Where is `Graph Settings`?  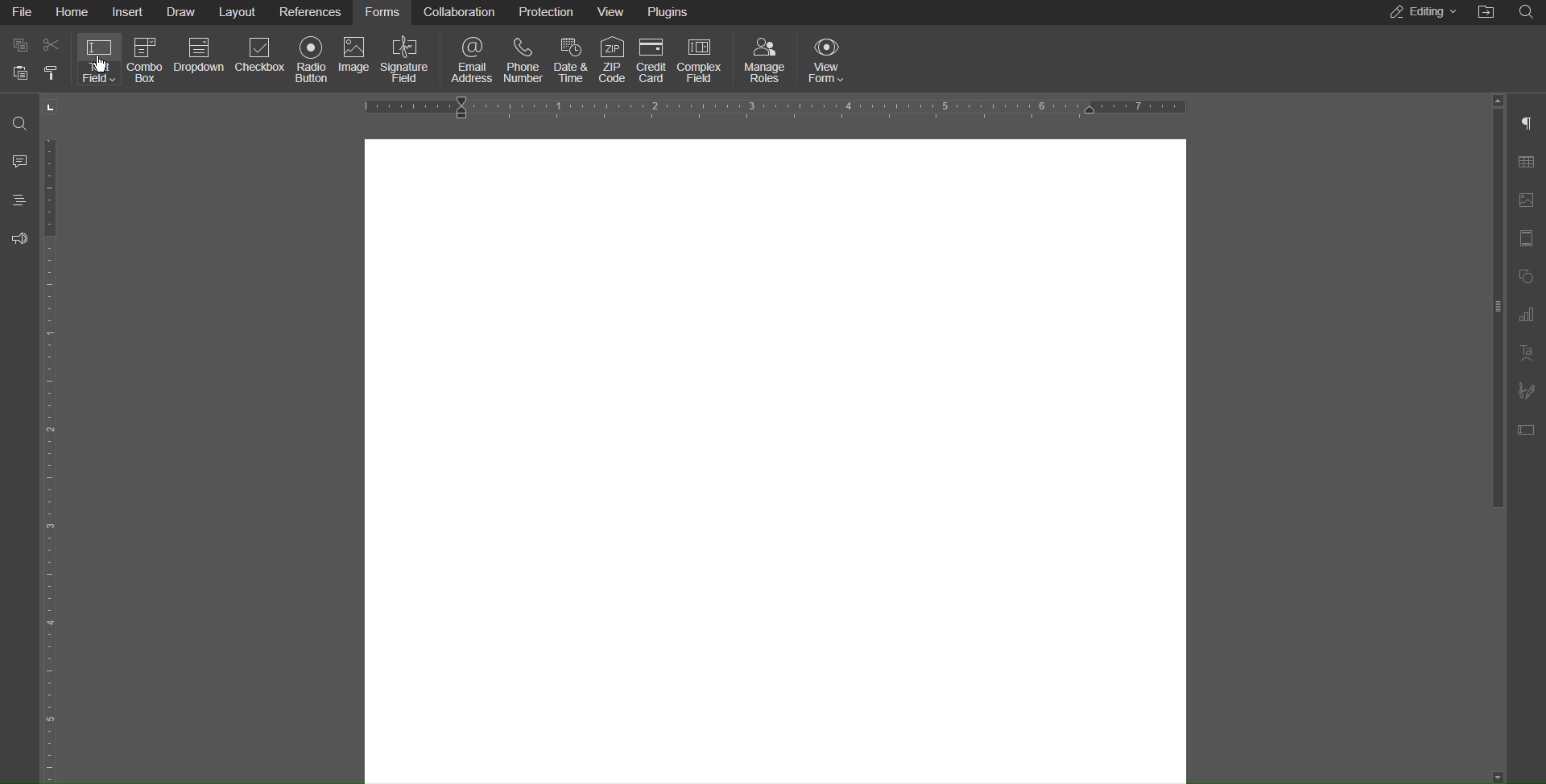
Graph Settings is located at coordinates (1530, 316).